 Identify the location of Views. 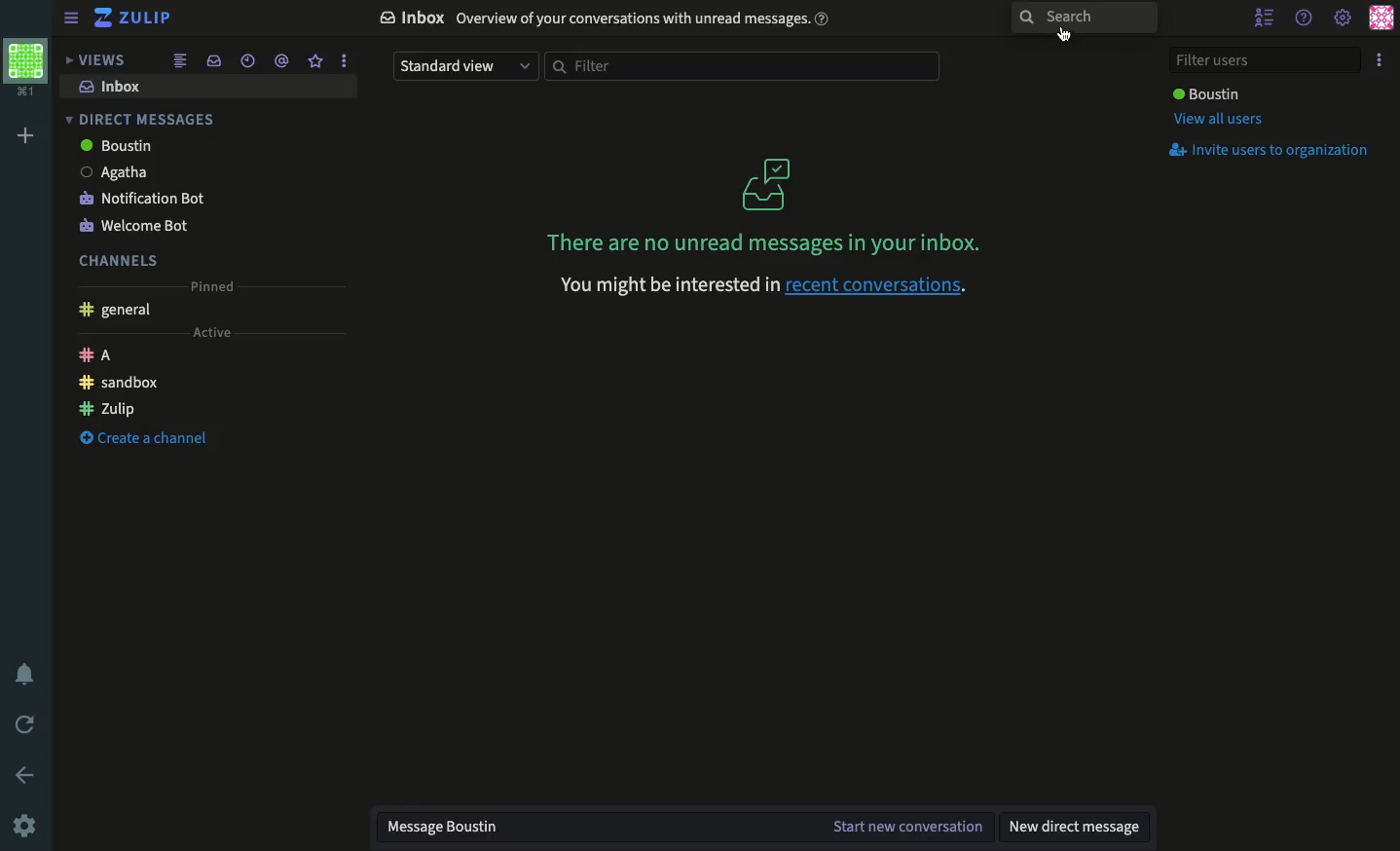
(93, 60).